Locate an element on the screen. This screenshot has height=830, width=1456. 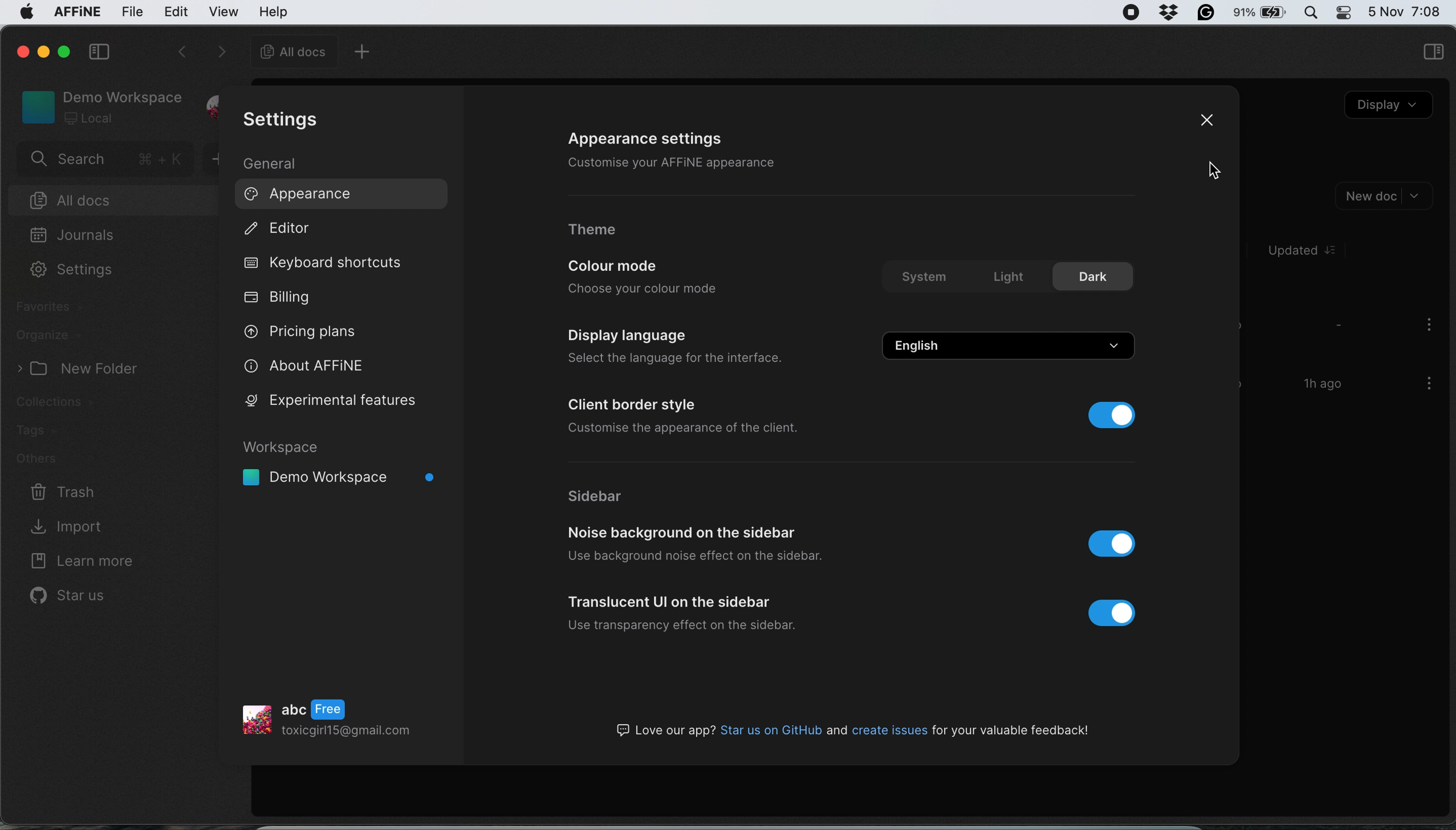
experimental features is located at coordinates (340, 403).